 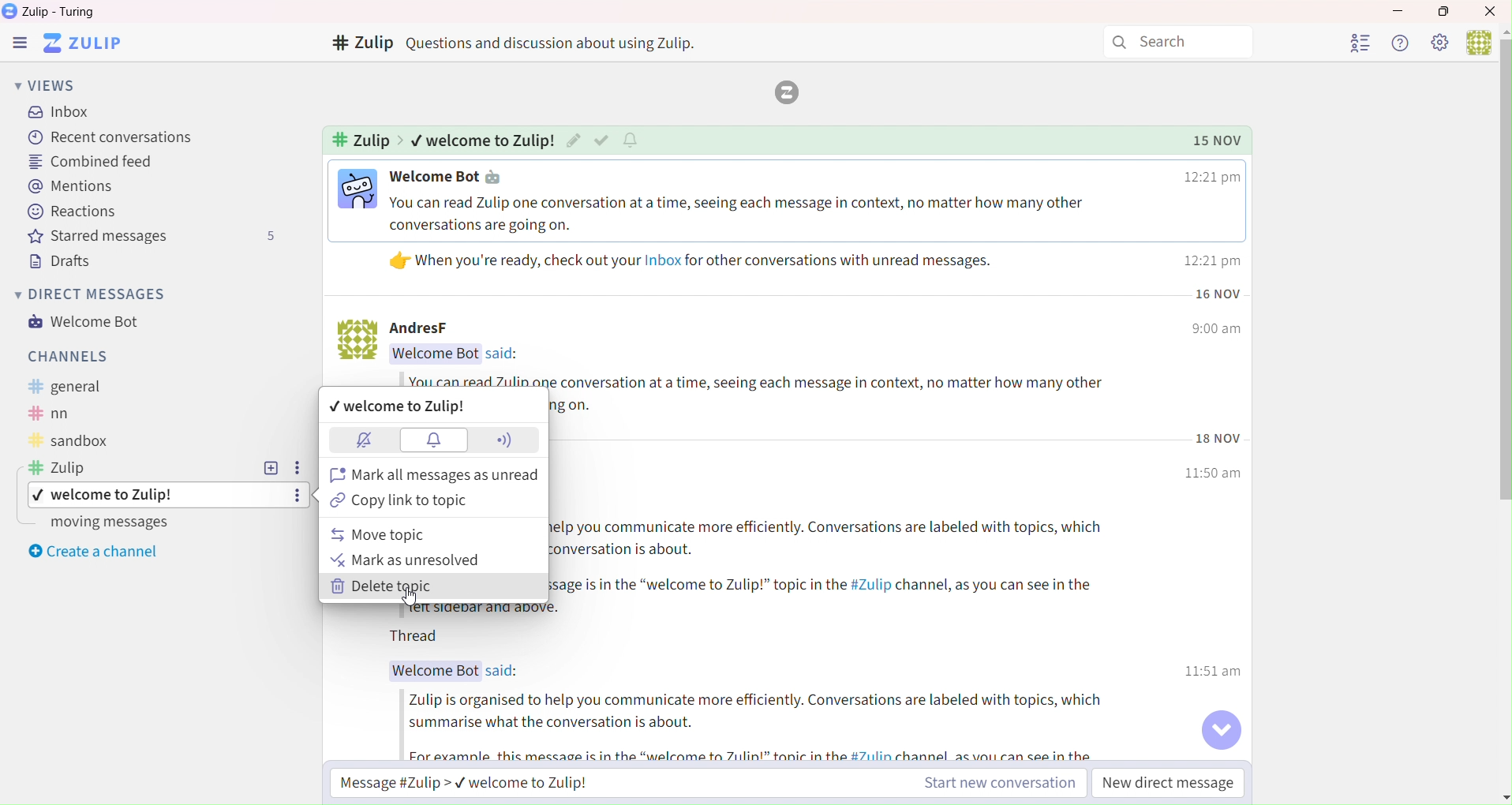 What do you see at coordinates (834, 597) in the screenshot?
I see `Text` at bounding box center [834, 597].